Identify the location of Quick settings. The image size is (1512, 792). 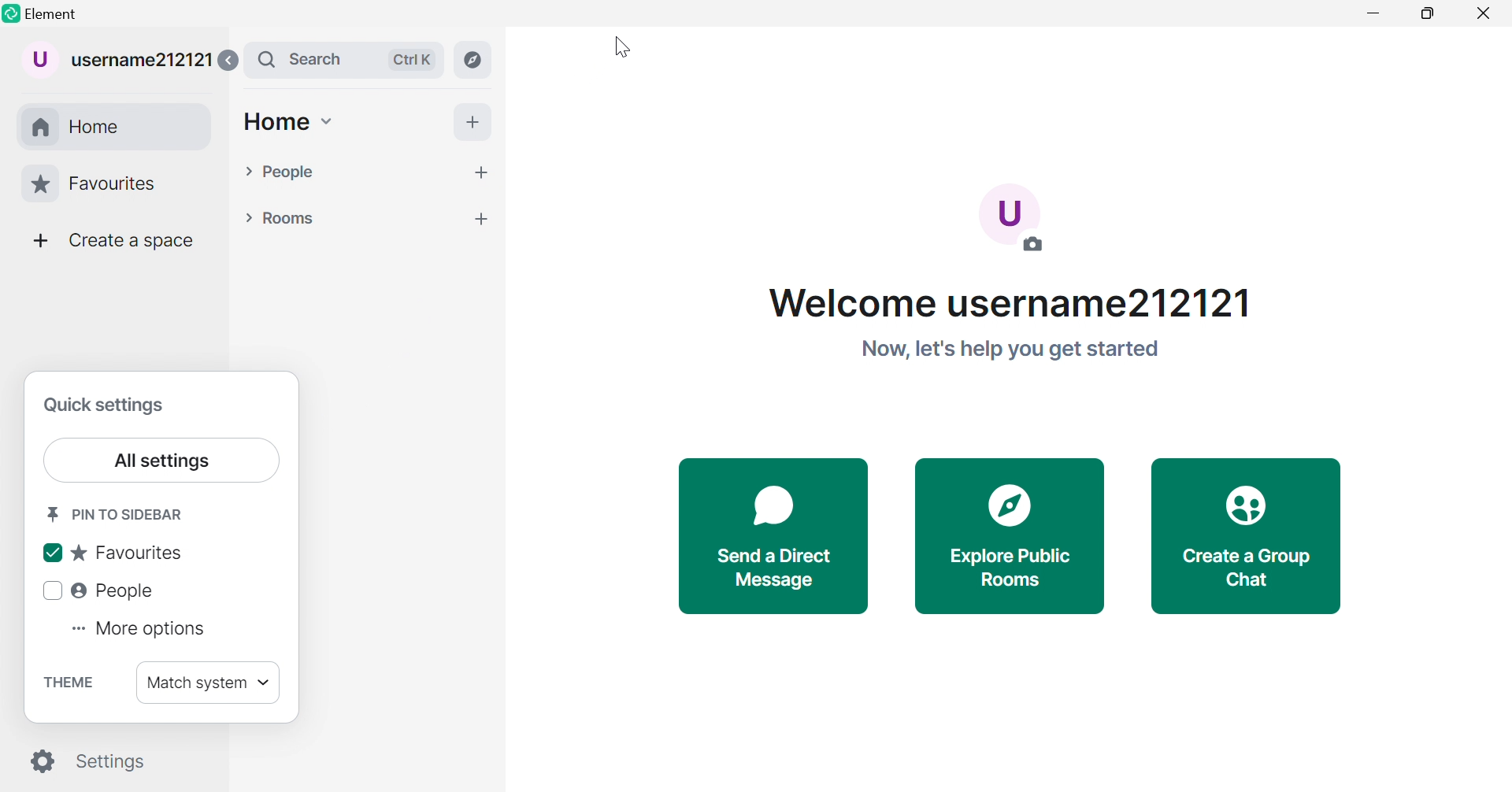
(106, 407).